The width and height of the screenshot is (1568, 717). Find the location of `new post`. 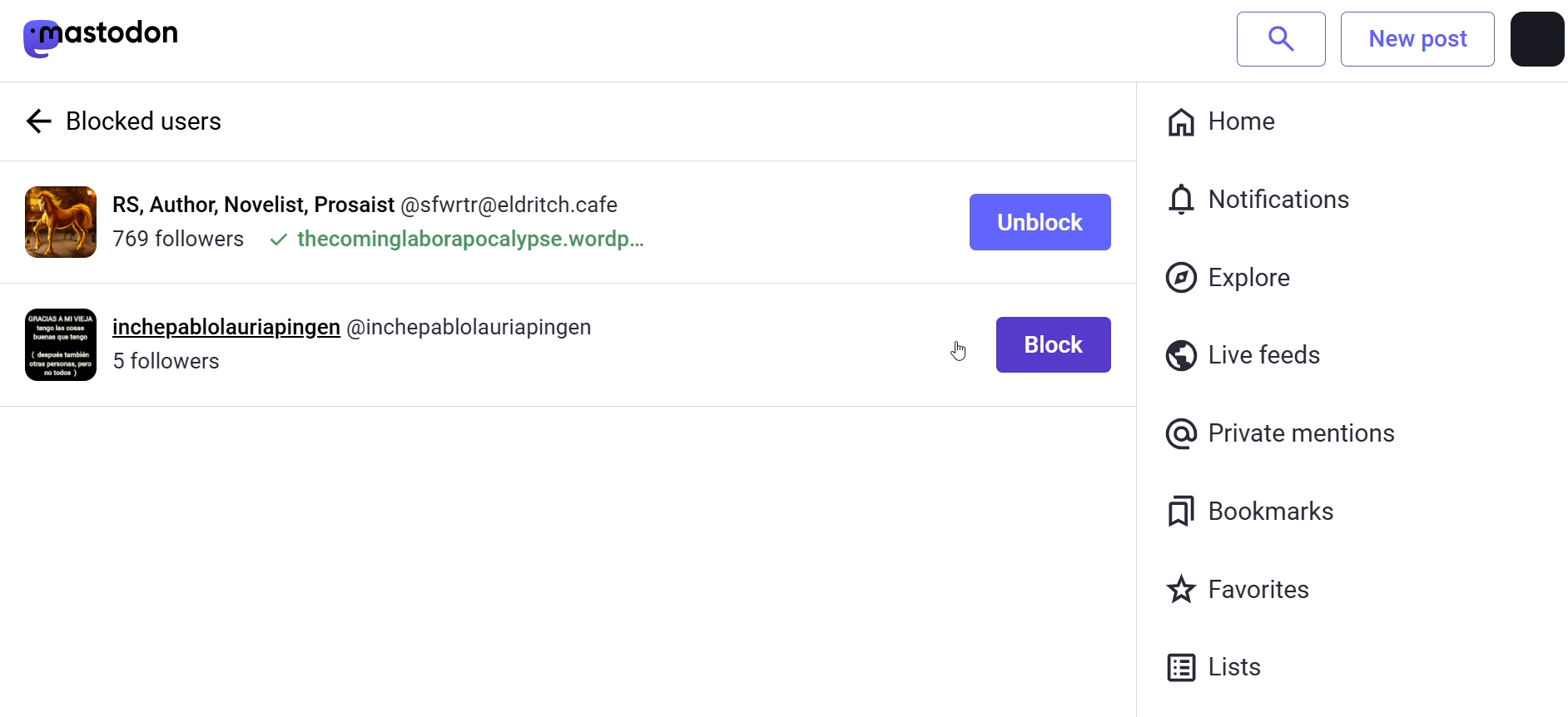

new post is located at coordinates (1417, 39).